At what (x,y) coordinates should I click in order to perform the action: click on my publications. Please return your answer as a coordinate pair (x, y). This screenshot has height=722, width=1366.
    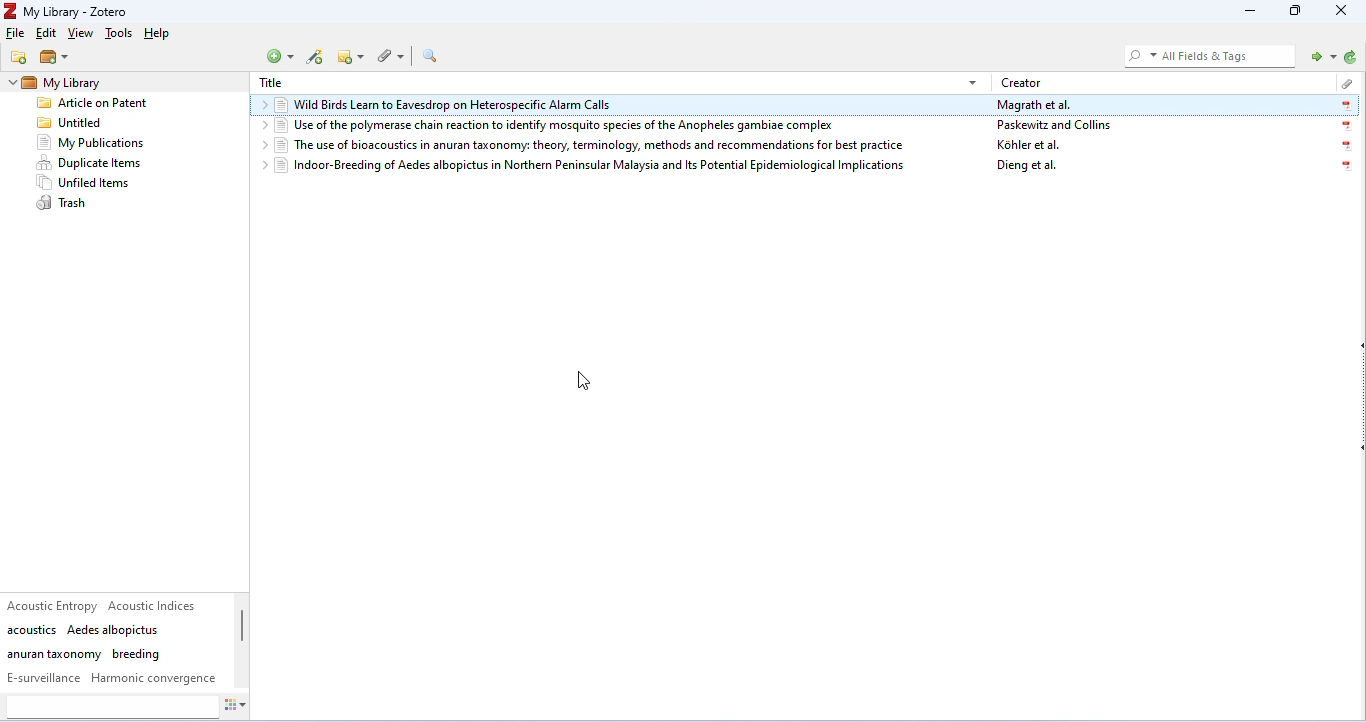
    Looking at the image, I should click on (92, 143).